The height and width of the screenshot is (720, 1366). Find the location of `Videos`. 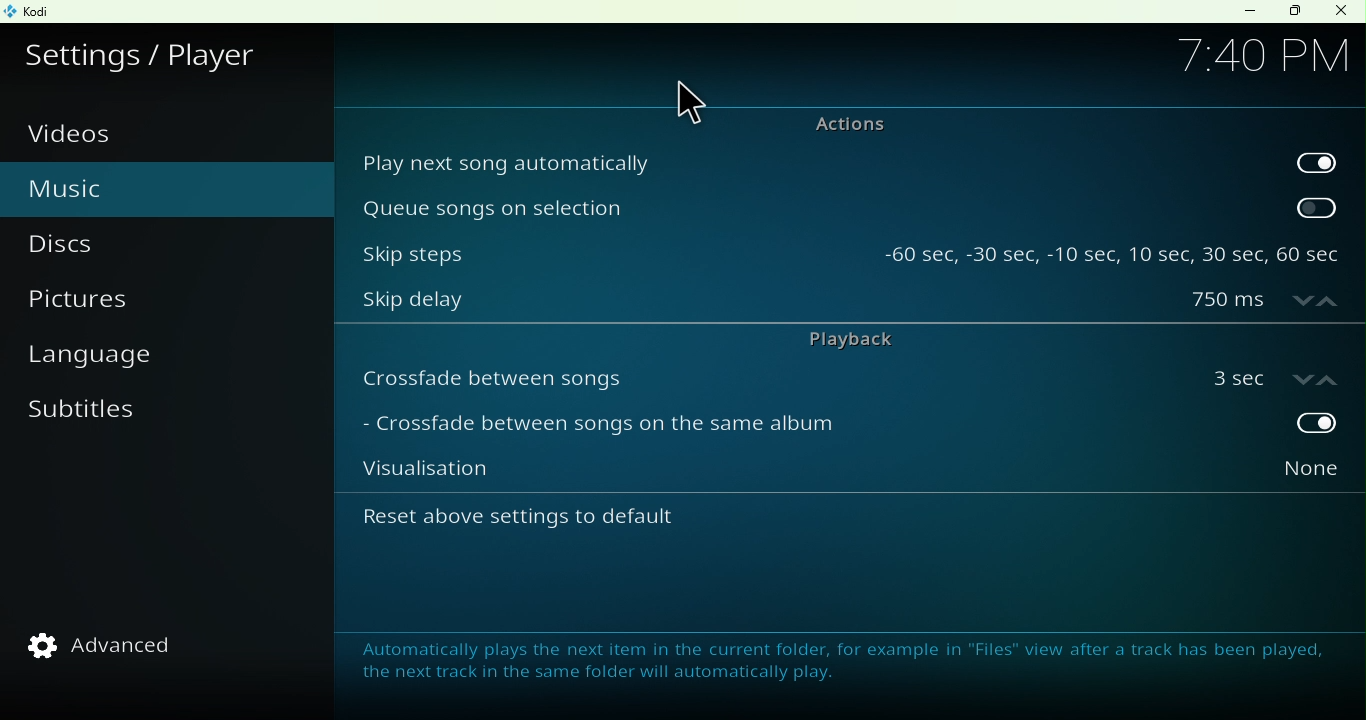

Videos is located at coordinates (83, 134).